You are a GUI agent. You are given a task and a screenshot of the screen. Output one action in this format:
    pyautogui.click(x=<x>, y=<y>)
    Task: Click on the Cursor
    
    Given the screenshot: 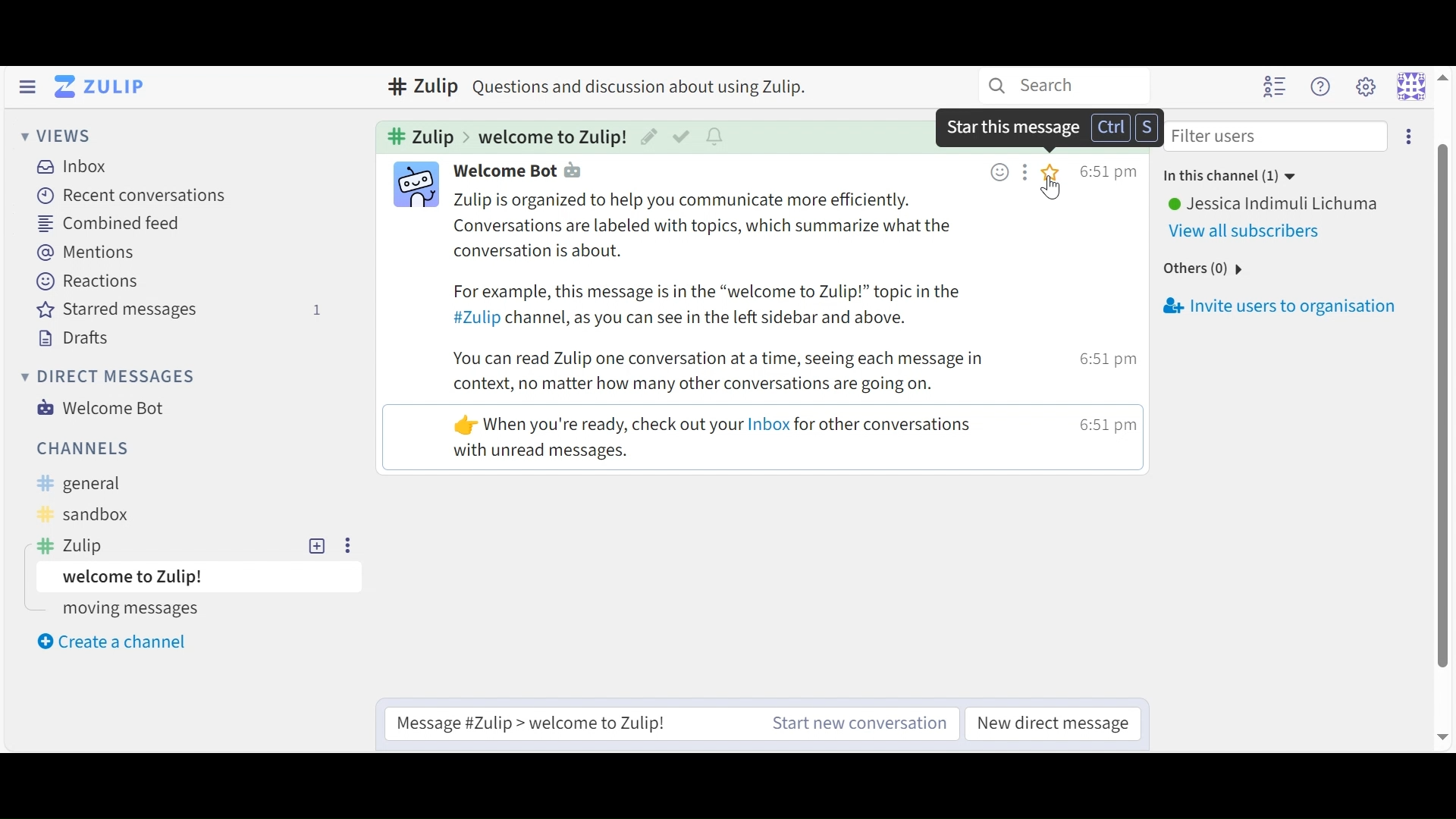 What is the action you would take?
    pyautogui.click(x=1053, y=189)
    